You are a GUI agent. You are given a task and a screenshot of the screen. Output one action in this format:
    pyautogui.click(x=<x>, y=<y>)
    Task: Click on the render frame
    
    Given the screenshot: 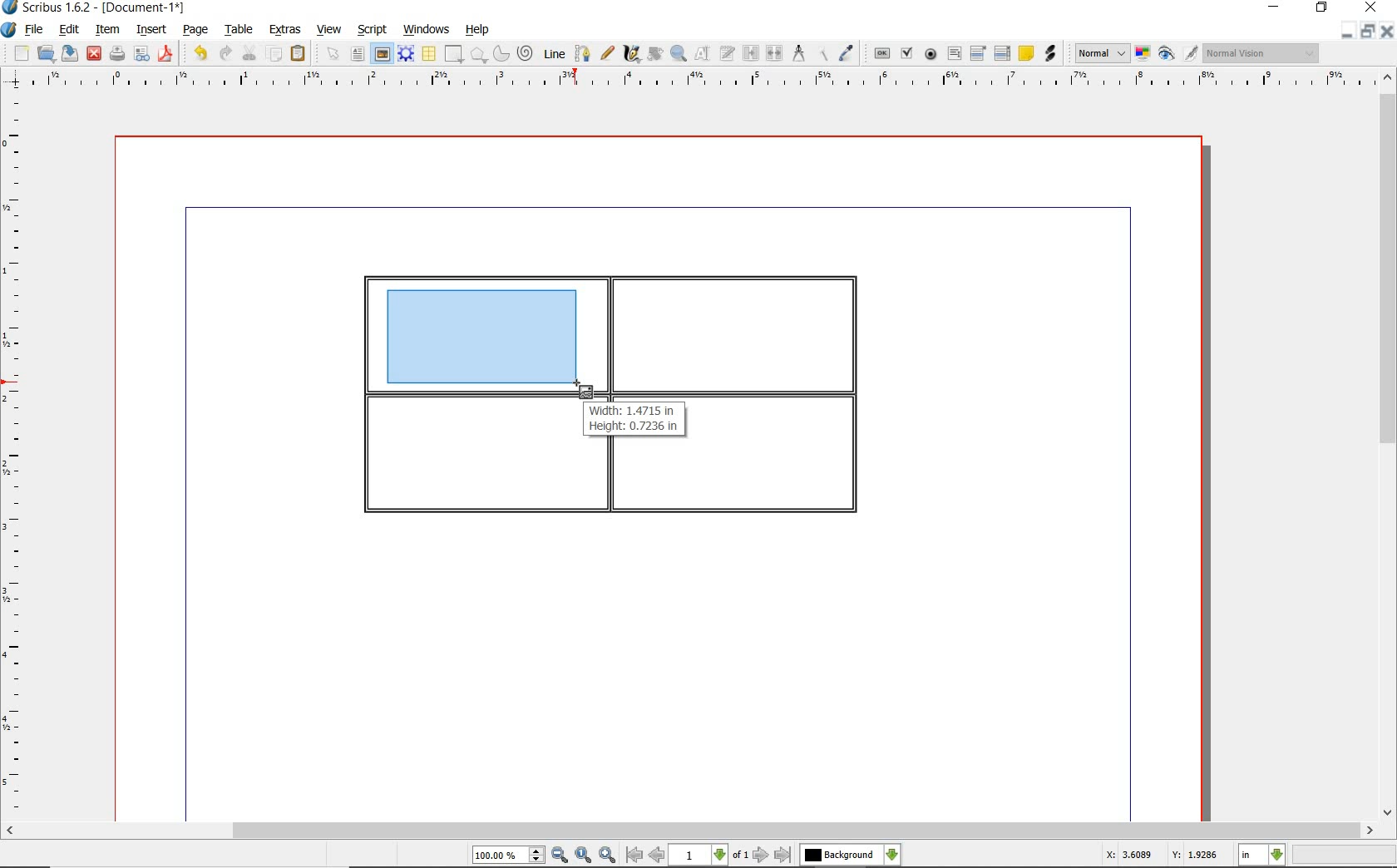 What is the action you would take?
    pyautogui.click(x=406, y=52)
    